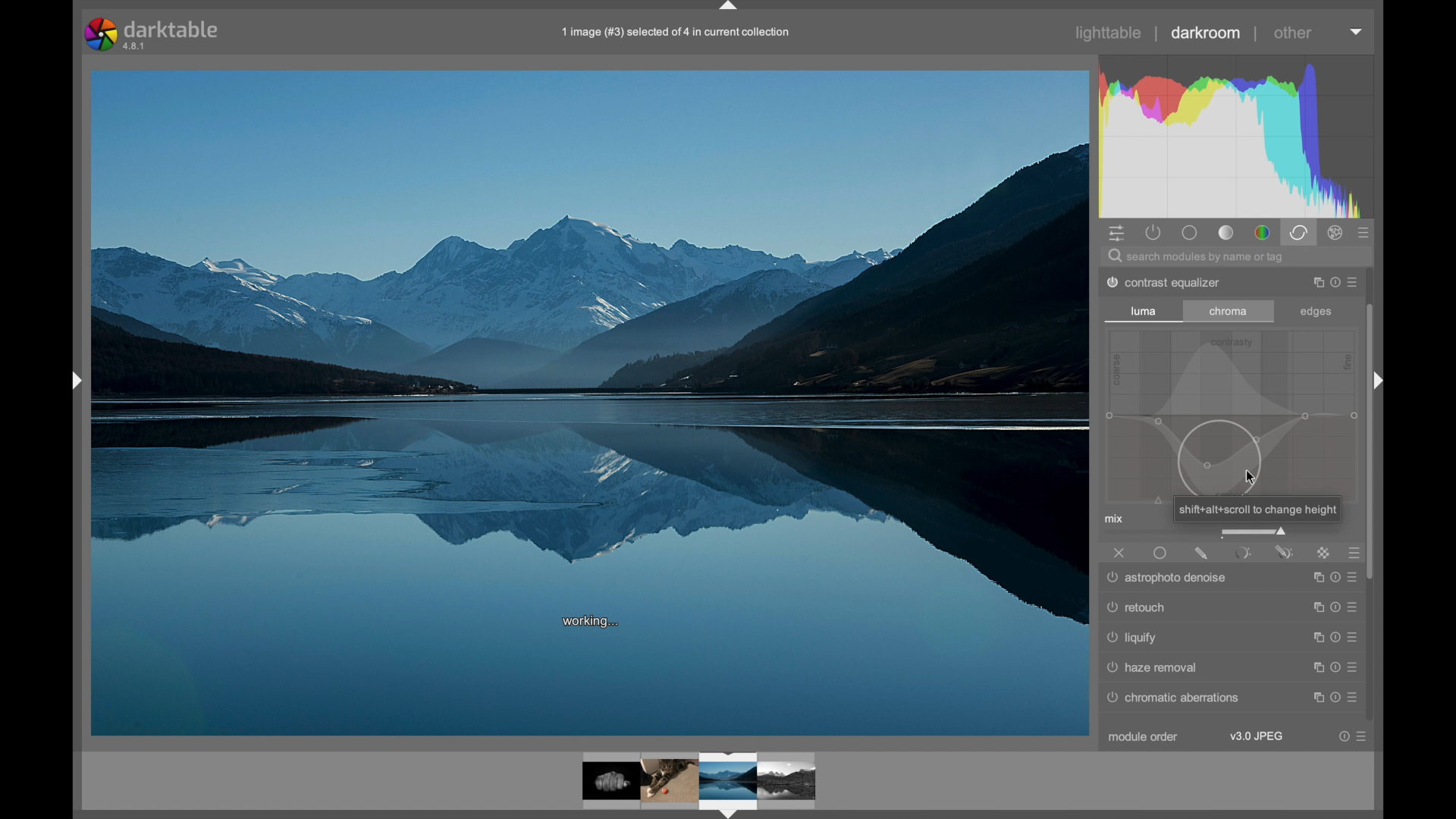 This screenshot has height=819, width=1456. Describe the element at coordinates (1118, 233) in the screenshot. I see `quick  access  panel` at that location.